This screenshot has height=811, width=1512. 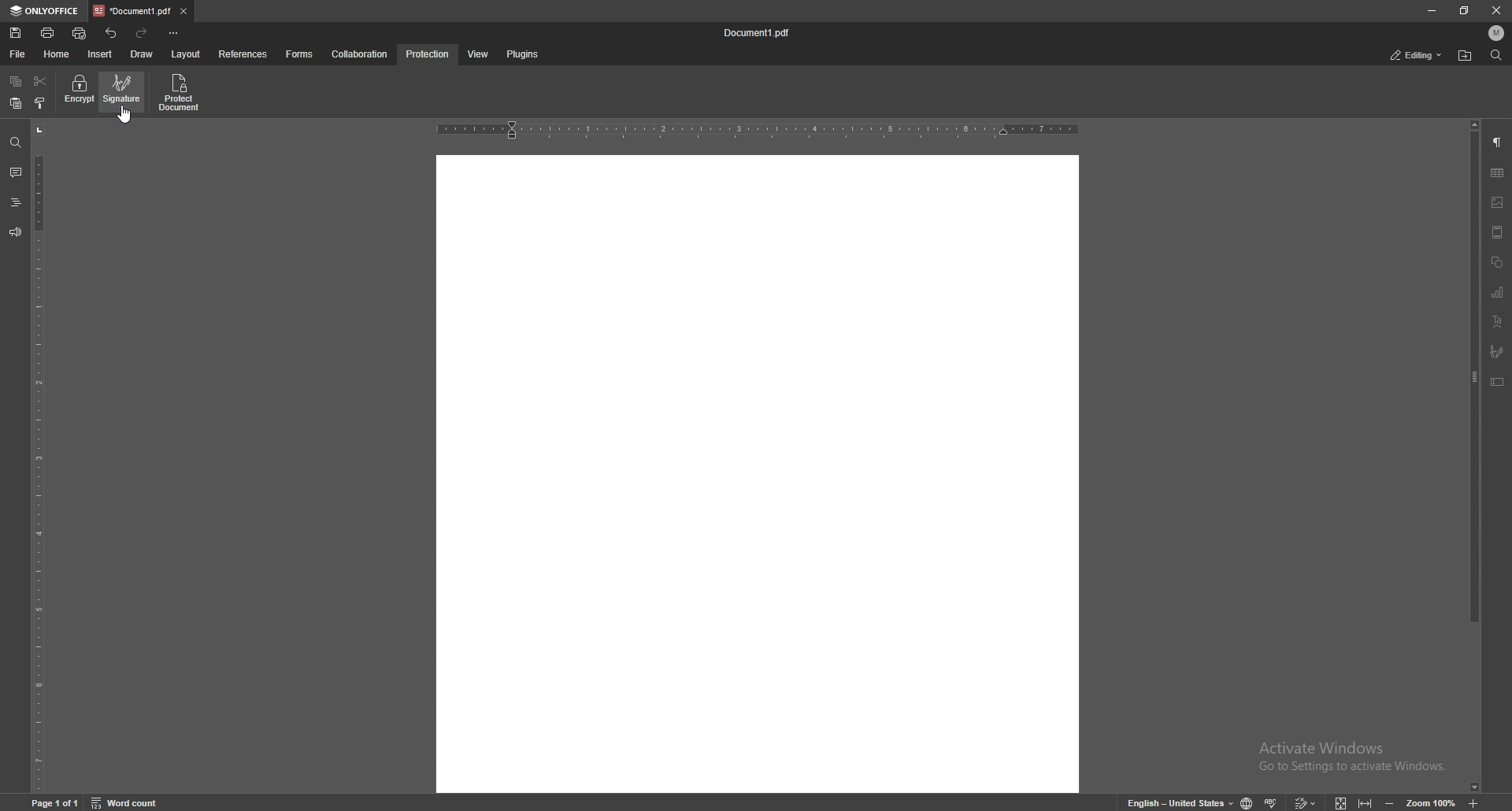 What do you see at coordinates (16, 82) in the screenshot?
I see `copy` at bounding box center [16, 82].